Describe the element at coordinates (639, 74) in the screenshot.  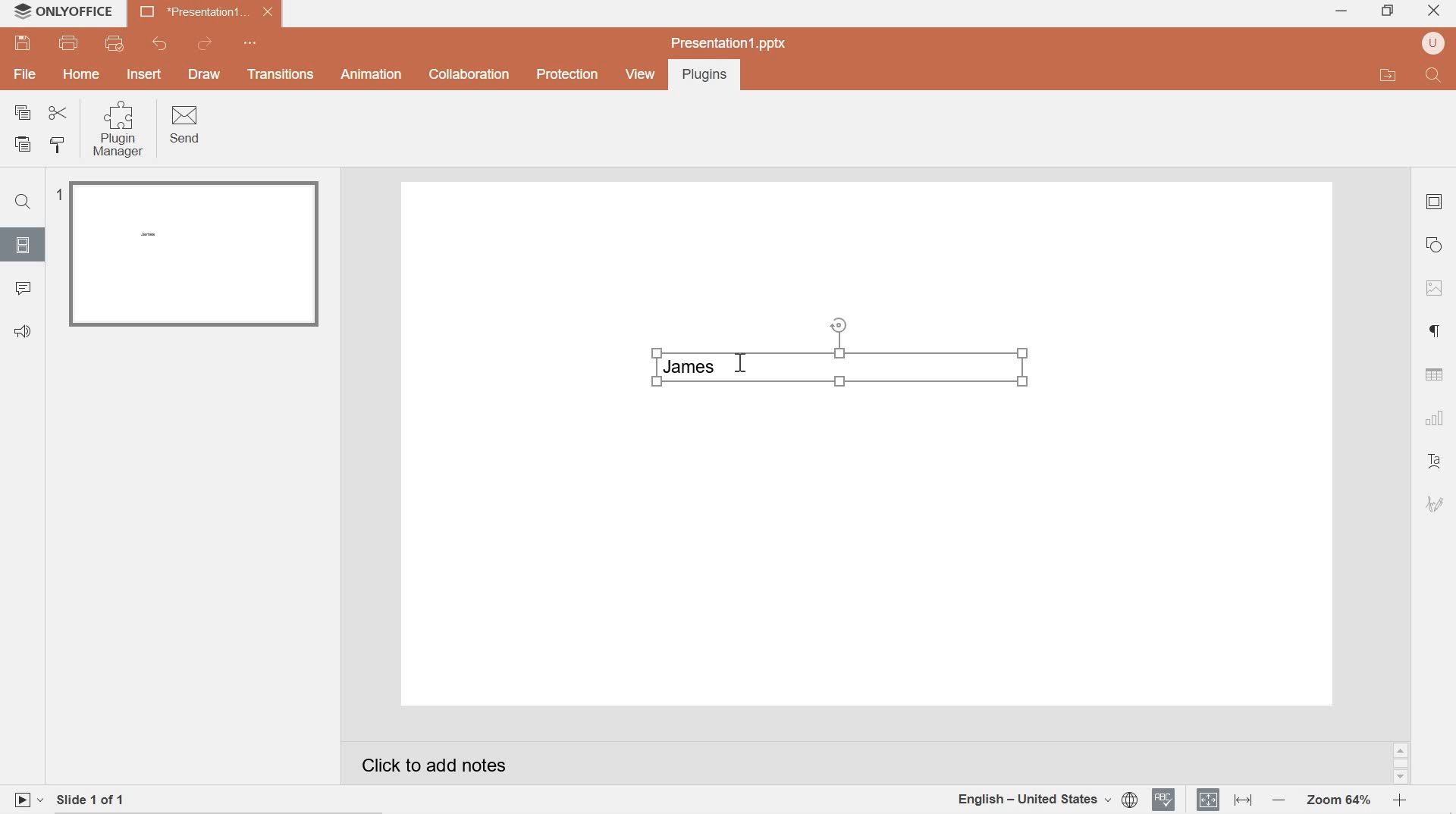
I see `view` at that location.